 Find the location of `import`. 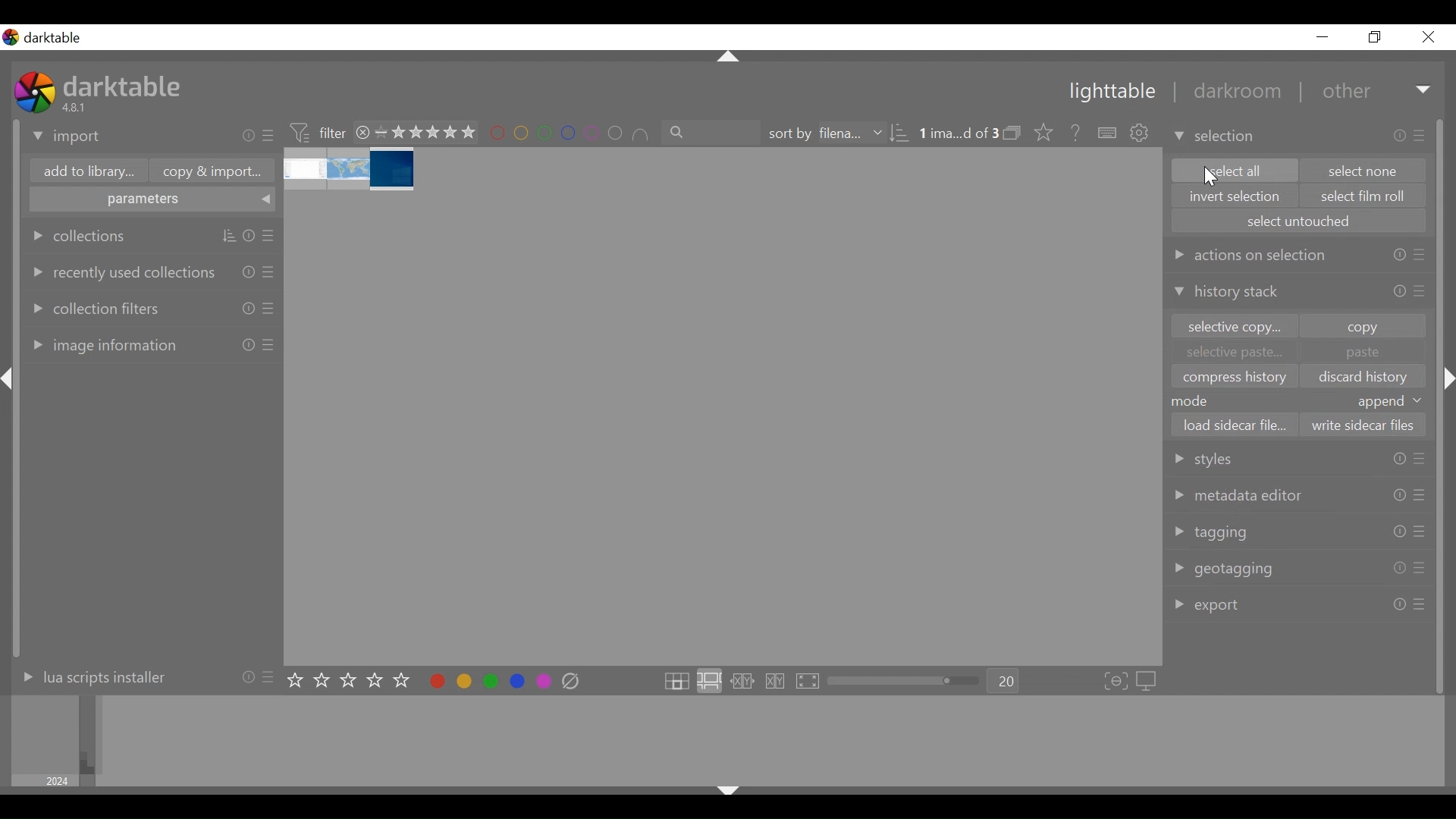

import is located at coordinates (67, 137).